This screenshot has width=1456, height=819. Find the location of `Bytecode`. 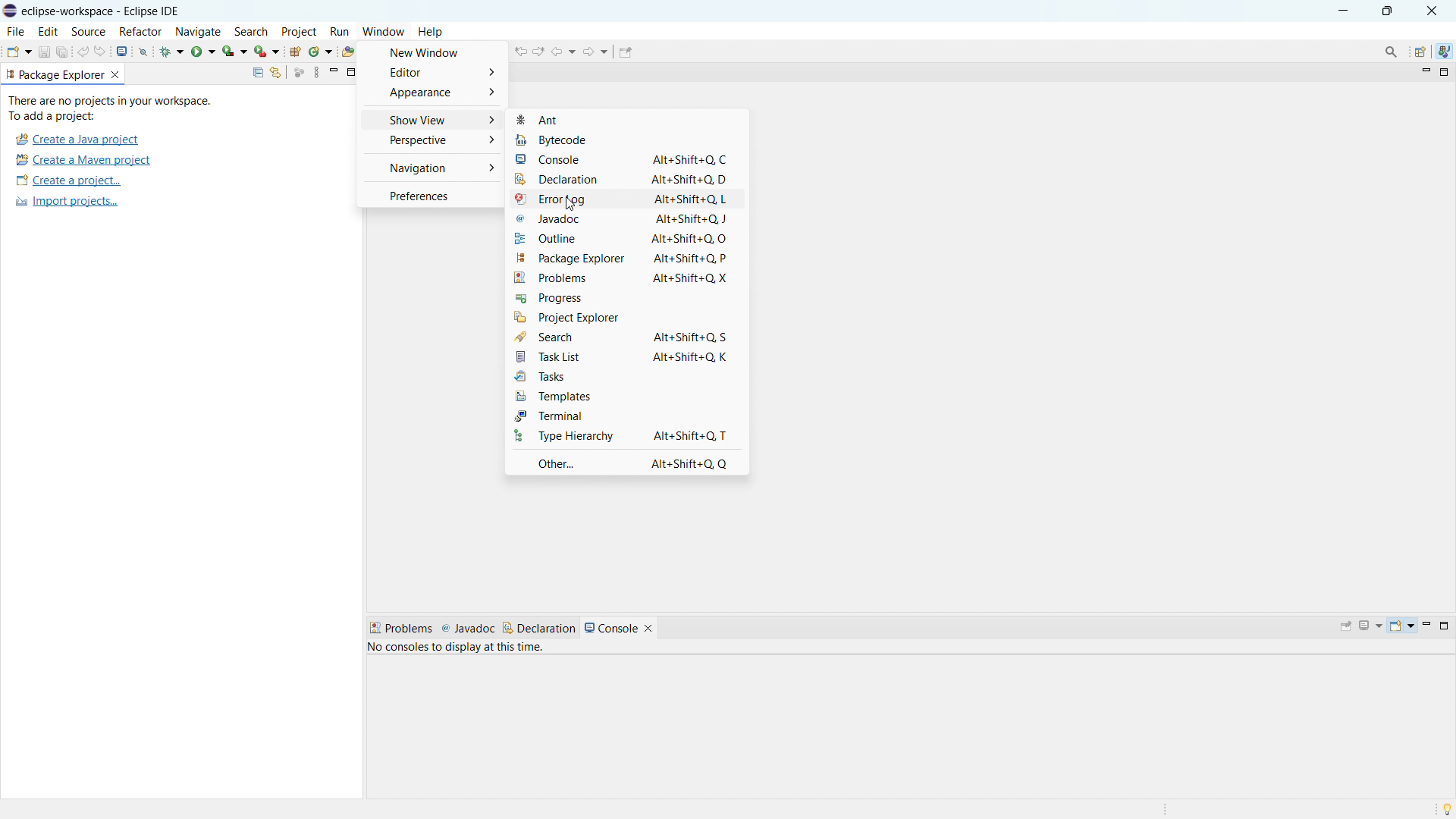

Bytecode is located at coordinates (551, 141).